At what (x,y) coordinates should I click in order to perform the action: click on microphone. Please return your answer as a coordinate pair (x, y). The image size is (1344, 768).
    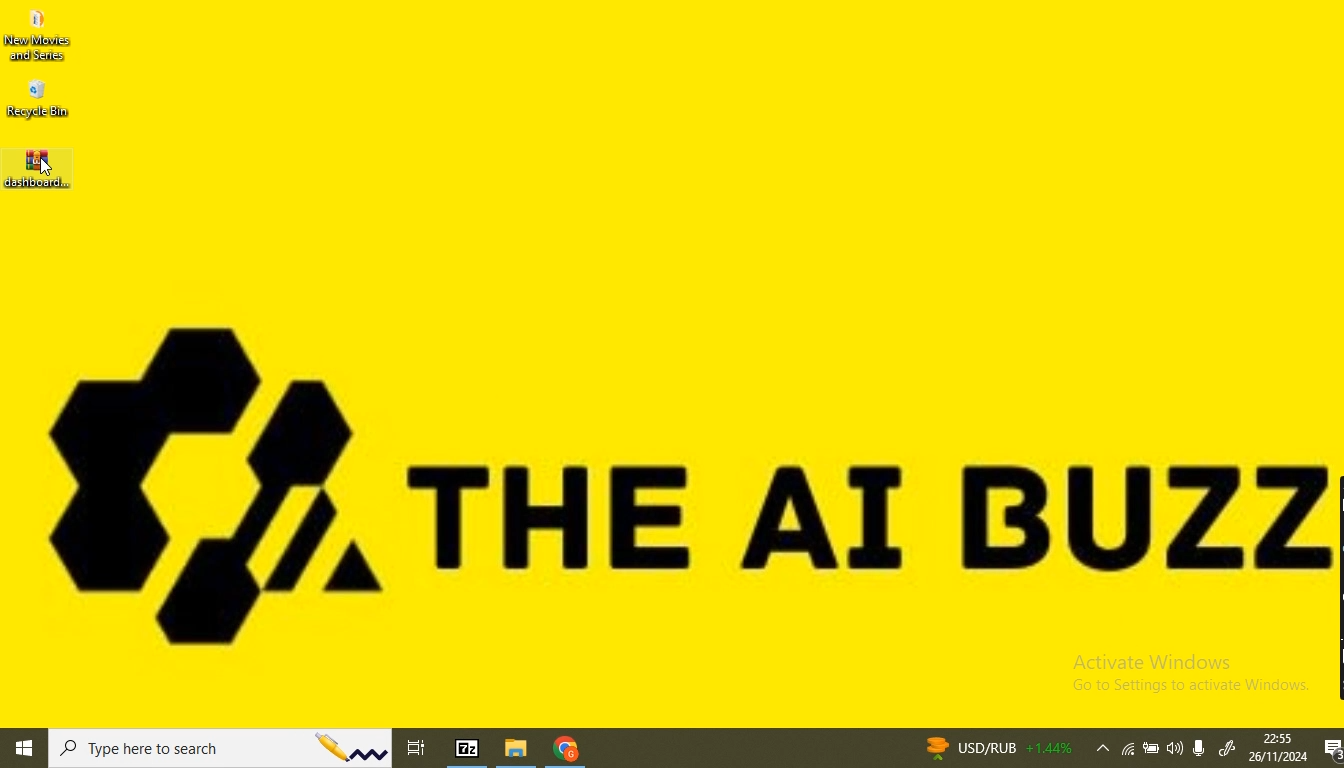
    Looking at the image, I should click on (1204, 746).